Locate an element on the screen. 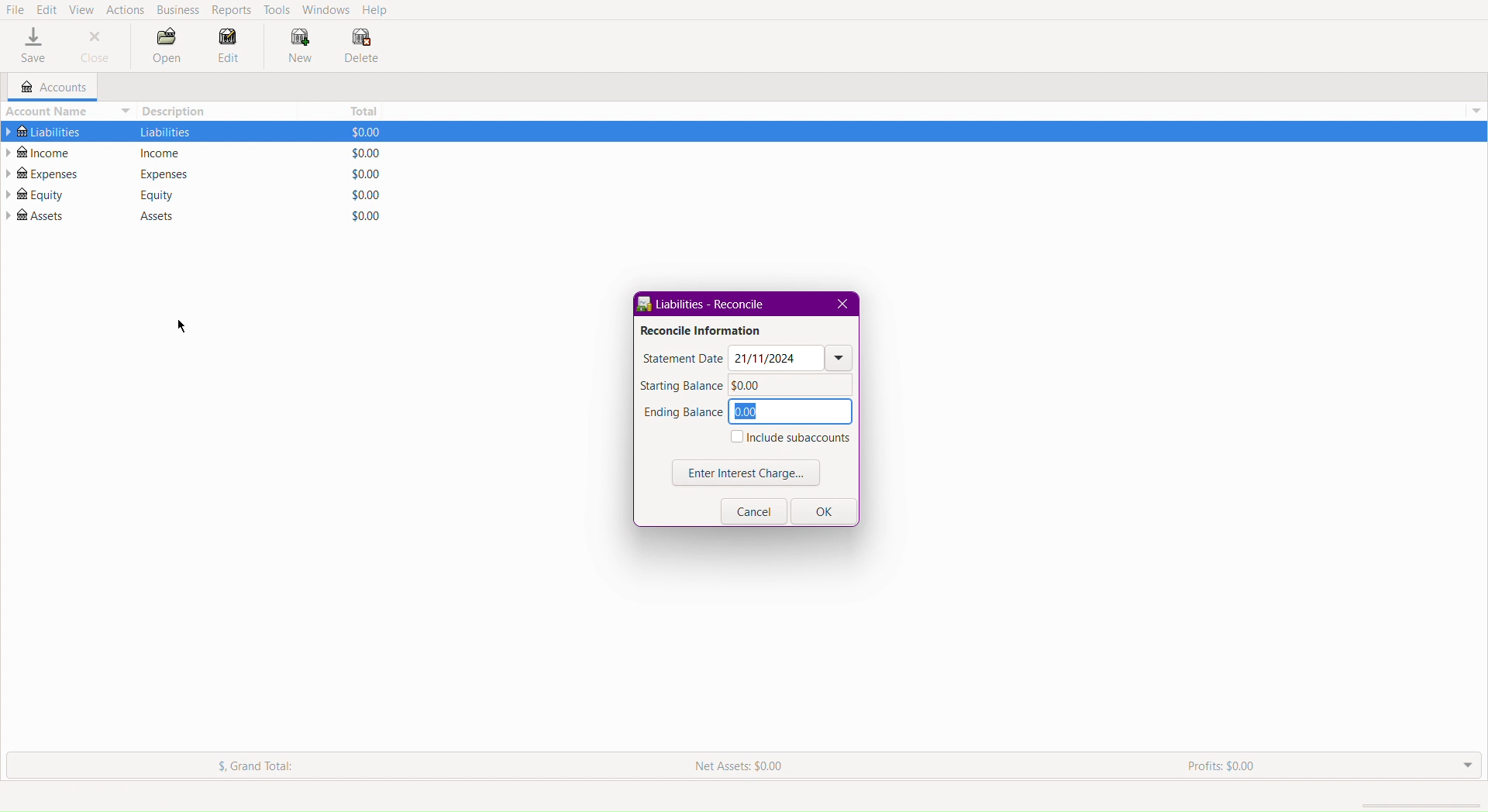 The width and height of the screenshot is (1488, 812). Profits is located at coordinates (1222, 765).